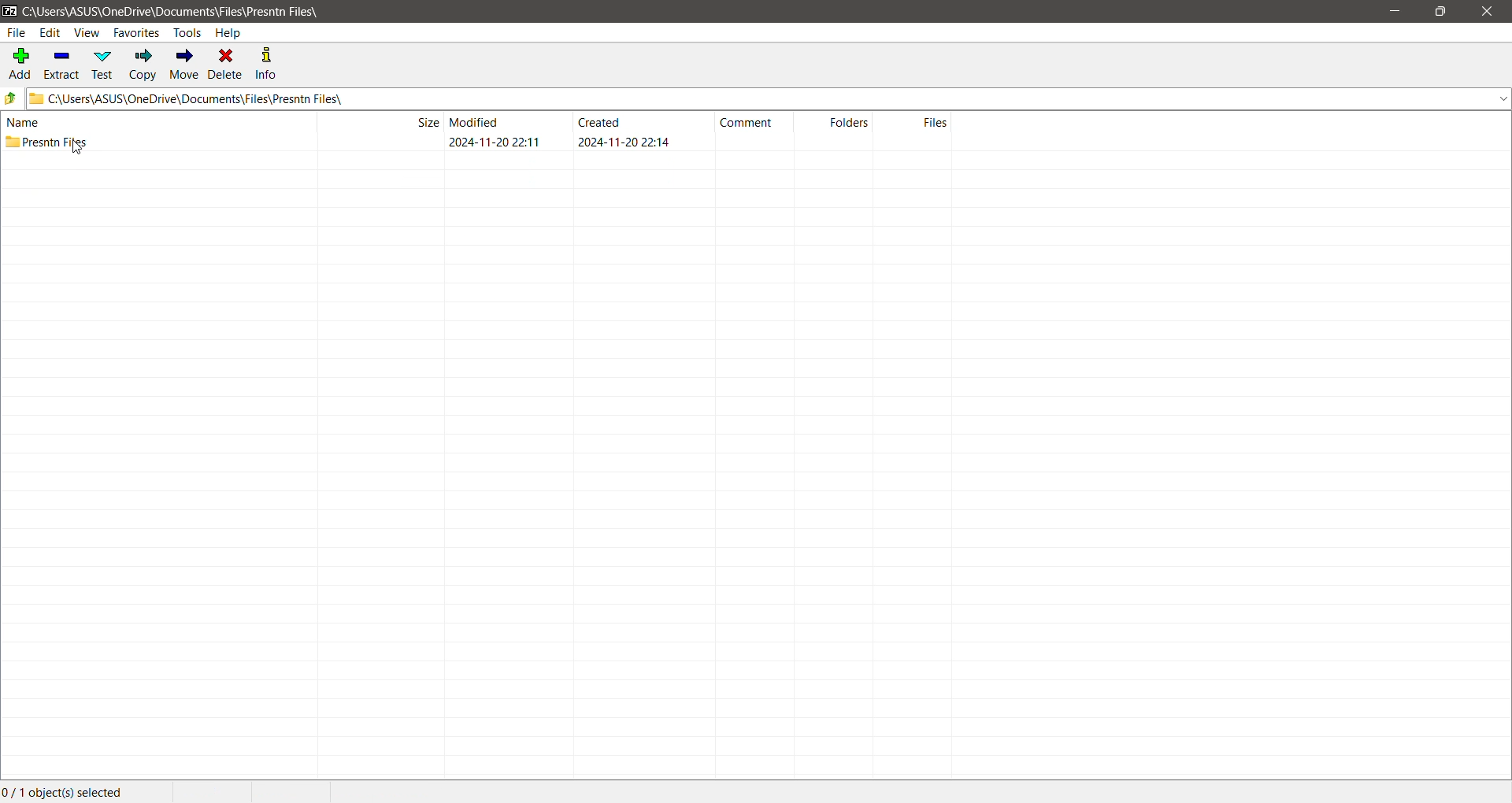  What do you see at coordinates (24, 122) in the screenshot?
I see `name` at bounding box center [24, 122].